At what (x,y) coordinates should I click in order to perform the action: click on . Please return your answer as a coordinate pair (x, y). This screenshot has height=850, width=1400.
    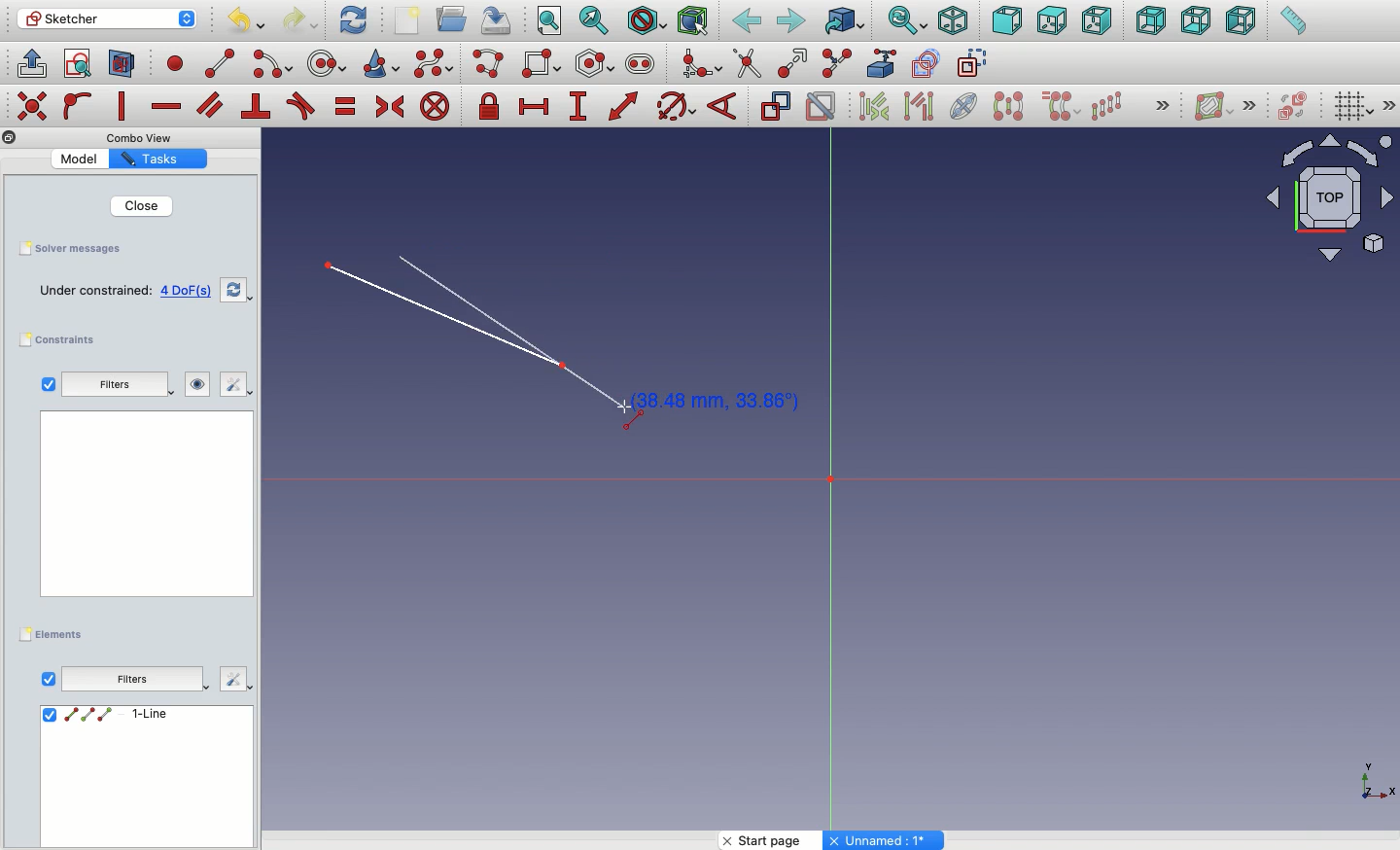
    Looking at the image, I should click on (30, 104).